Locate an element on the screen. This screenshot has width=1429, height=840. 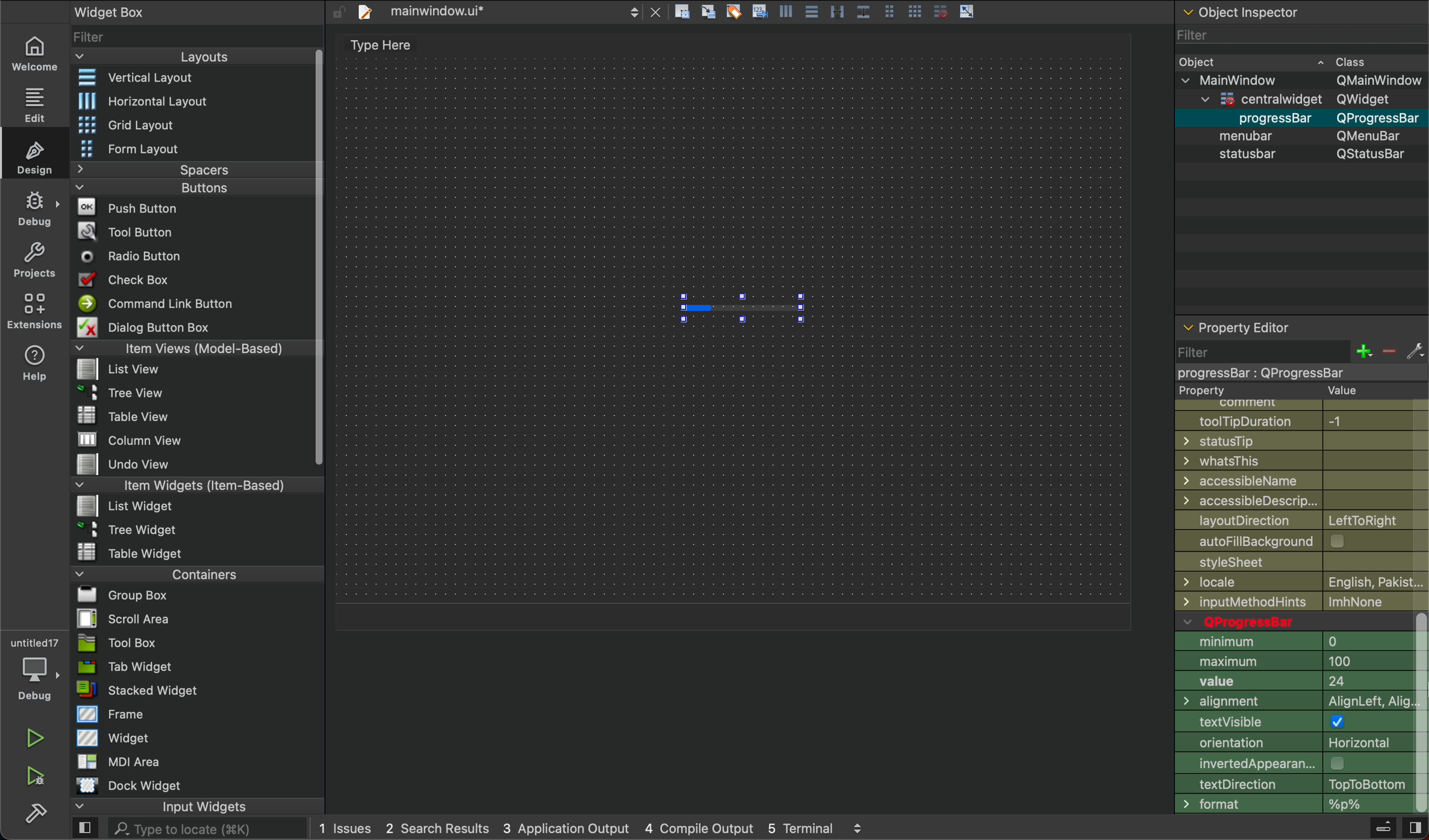
Tool Button is located at coordinates (135, 230).